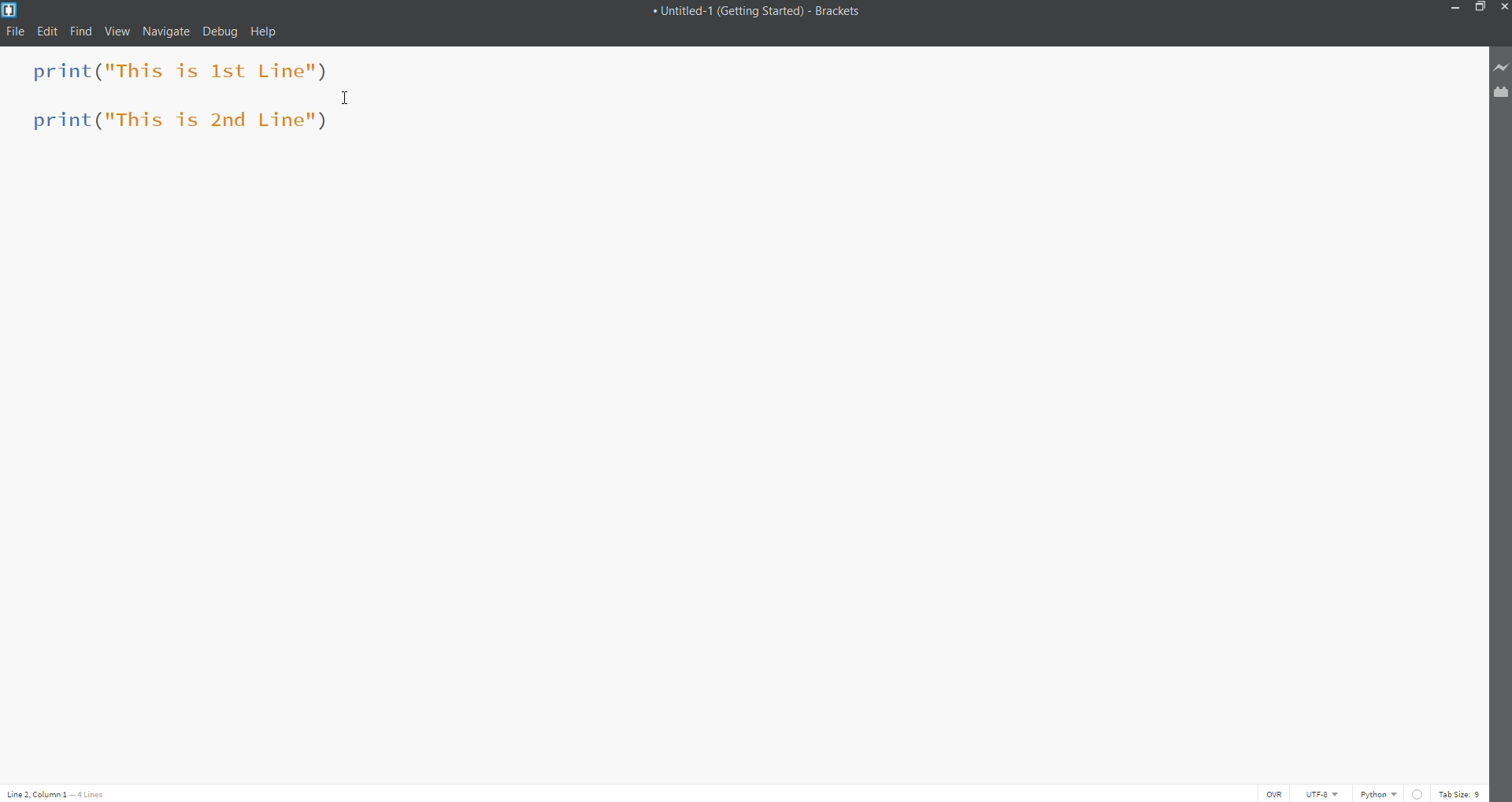  Describe the element at coordinates (17, 30) in the screenshot. I see `File` at that location.